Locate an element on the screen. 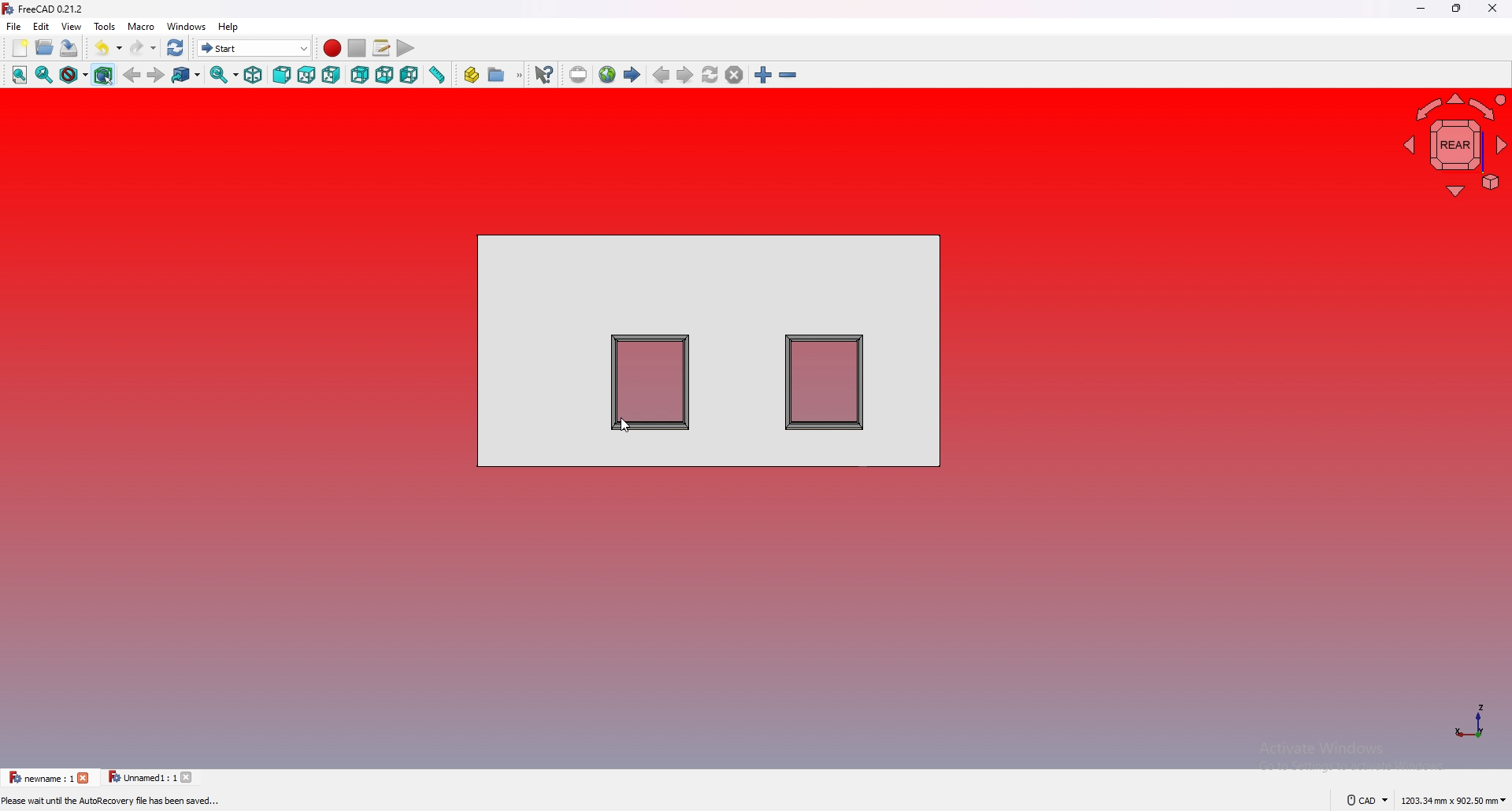 The image size is (1512, 811). isometric is located at coordinates (255, 75).